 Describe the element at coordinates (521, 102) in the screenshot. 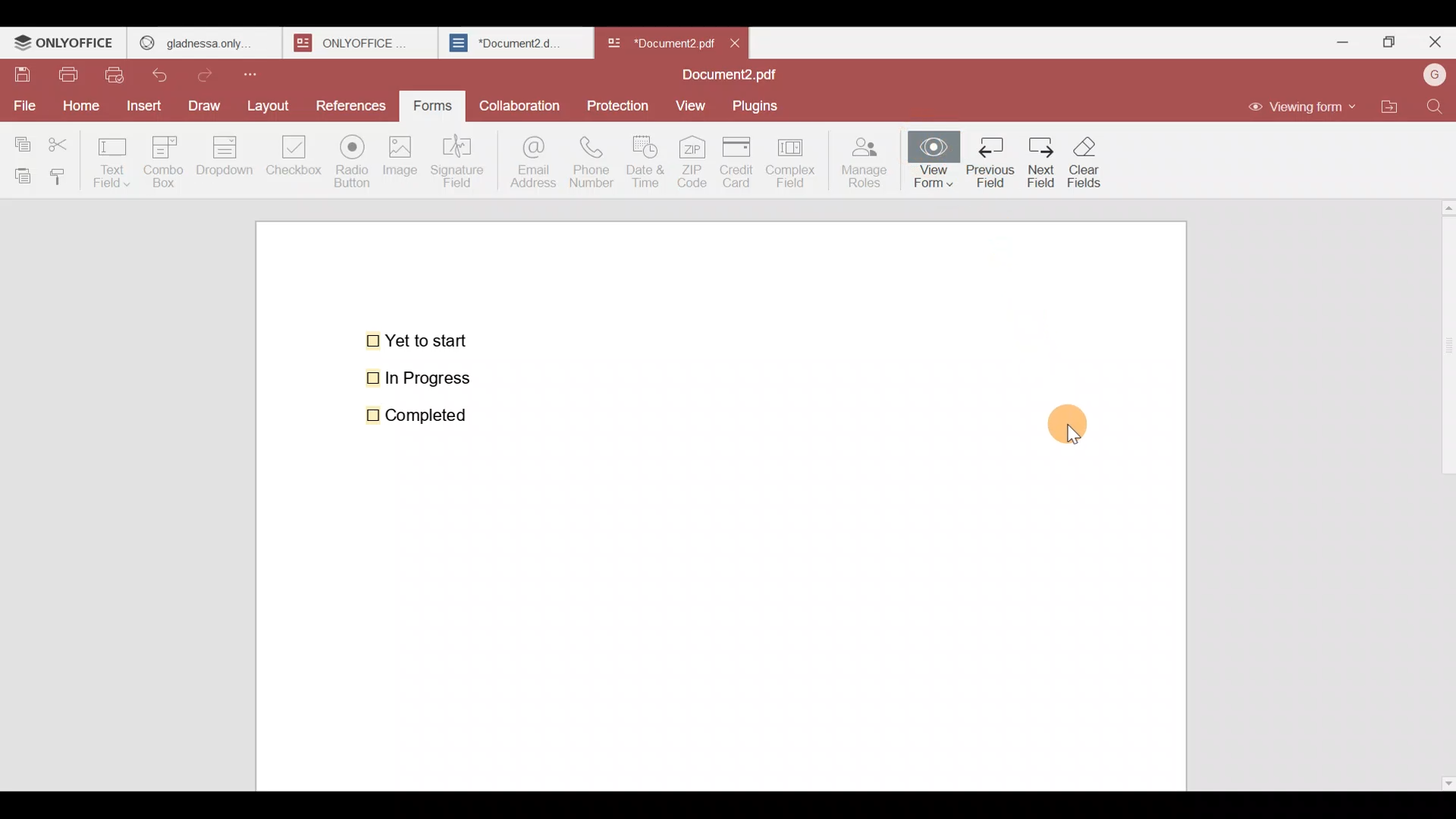

I see `Collaboration` at that location.